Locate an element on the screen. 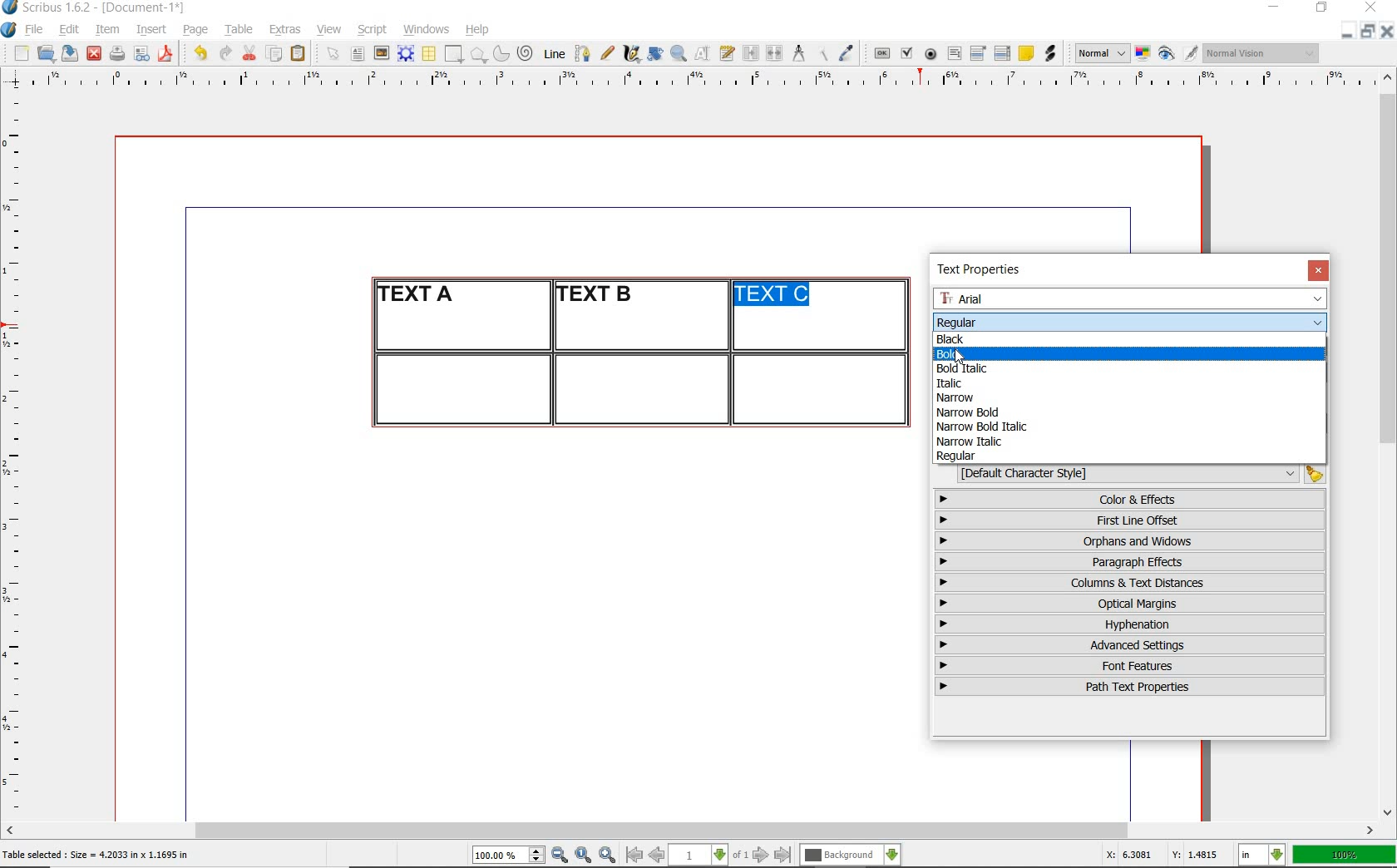 This screenshot has width=1397, height=868. scrollbar is located at coordinates (1389, 443).